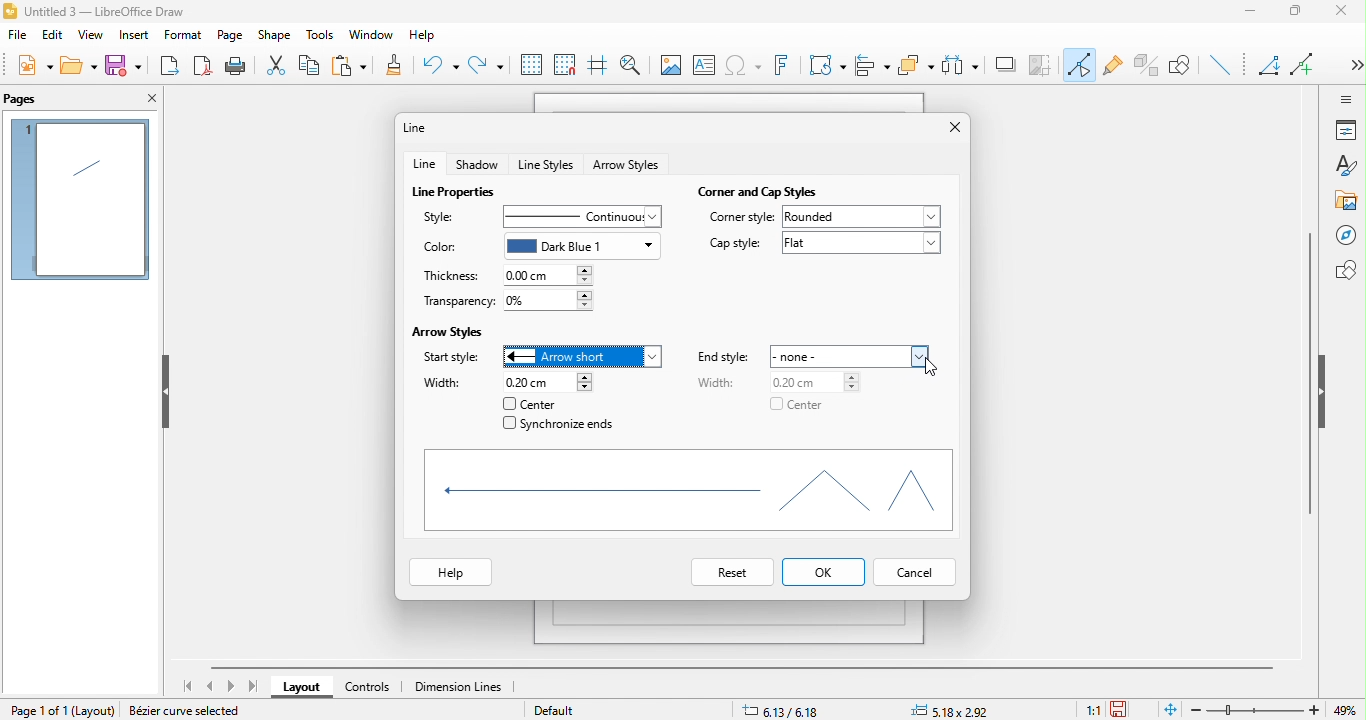 This screenshot has height=720, width=1366. Describe the element at coordinates (454, 302) in the screenshot. I see `transparency` at that location.